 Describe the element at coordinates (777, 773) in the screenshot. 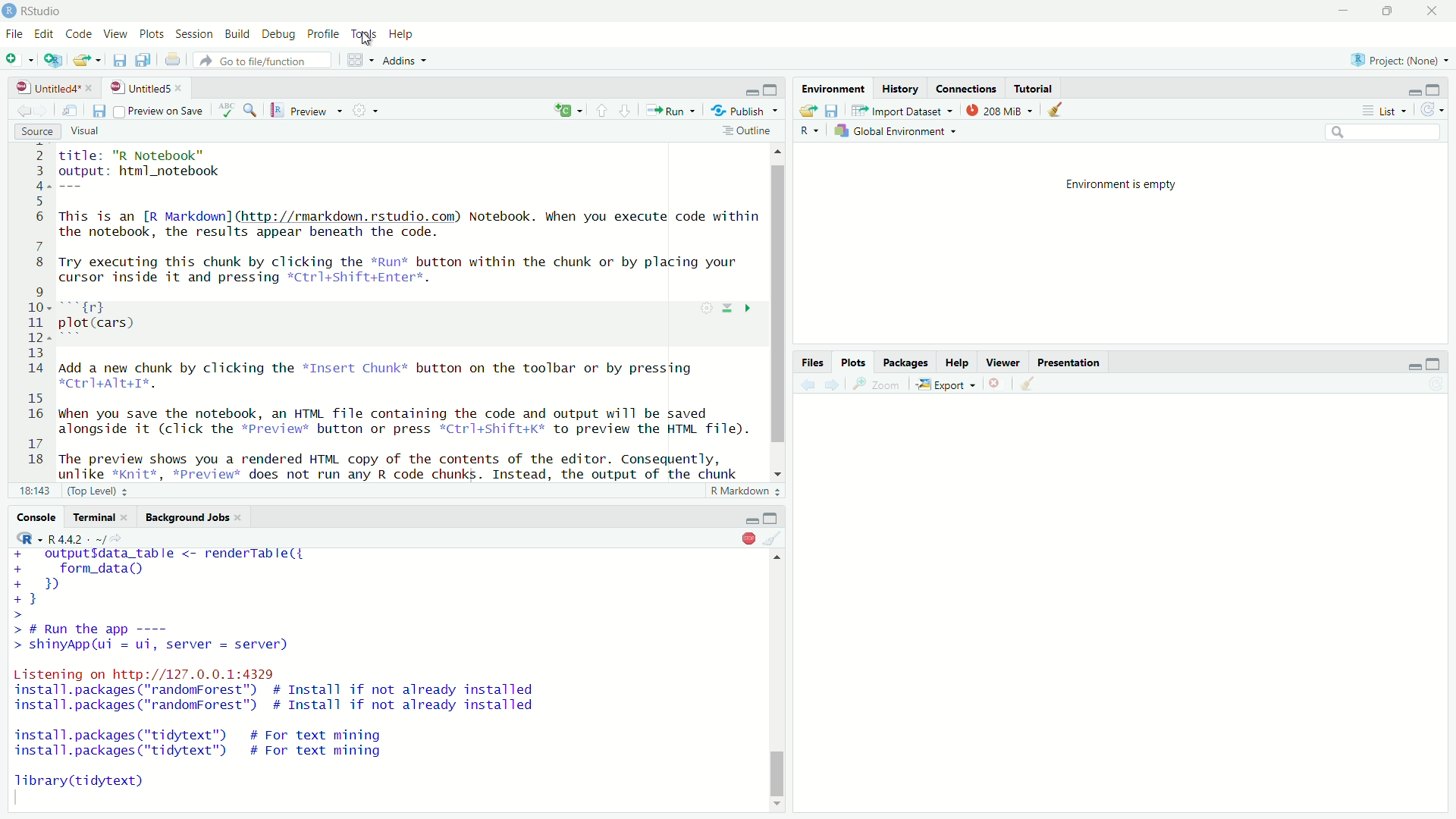

I see `vertical scrollbar` at that location.